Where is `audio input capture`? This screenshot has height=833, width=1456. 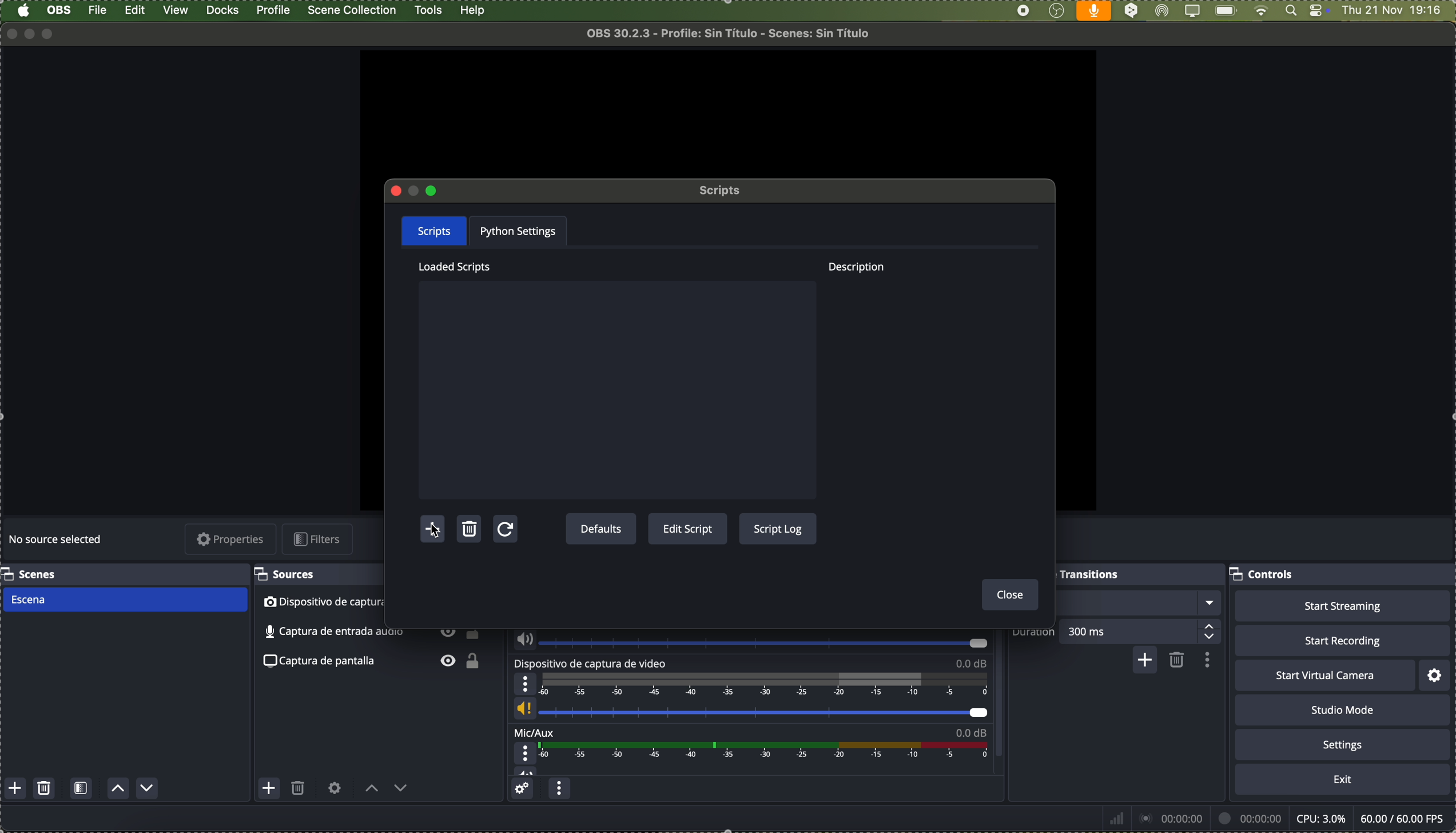
audio input capture is located at coordinates (748, 642).